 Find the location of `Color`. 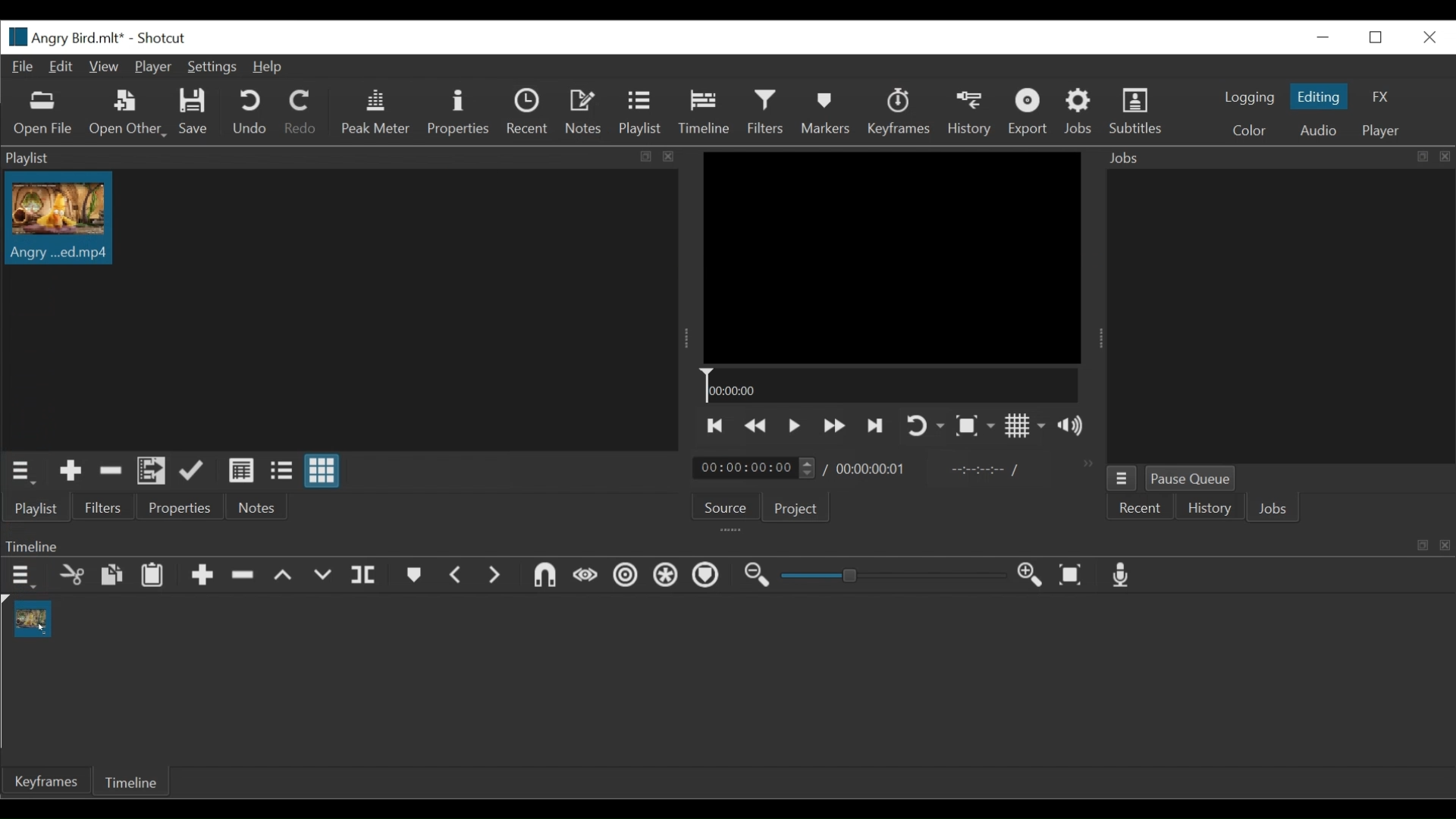

Color is located at coordinates (1248, 132).